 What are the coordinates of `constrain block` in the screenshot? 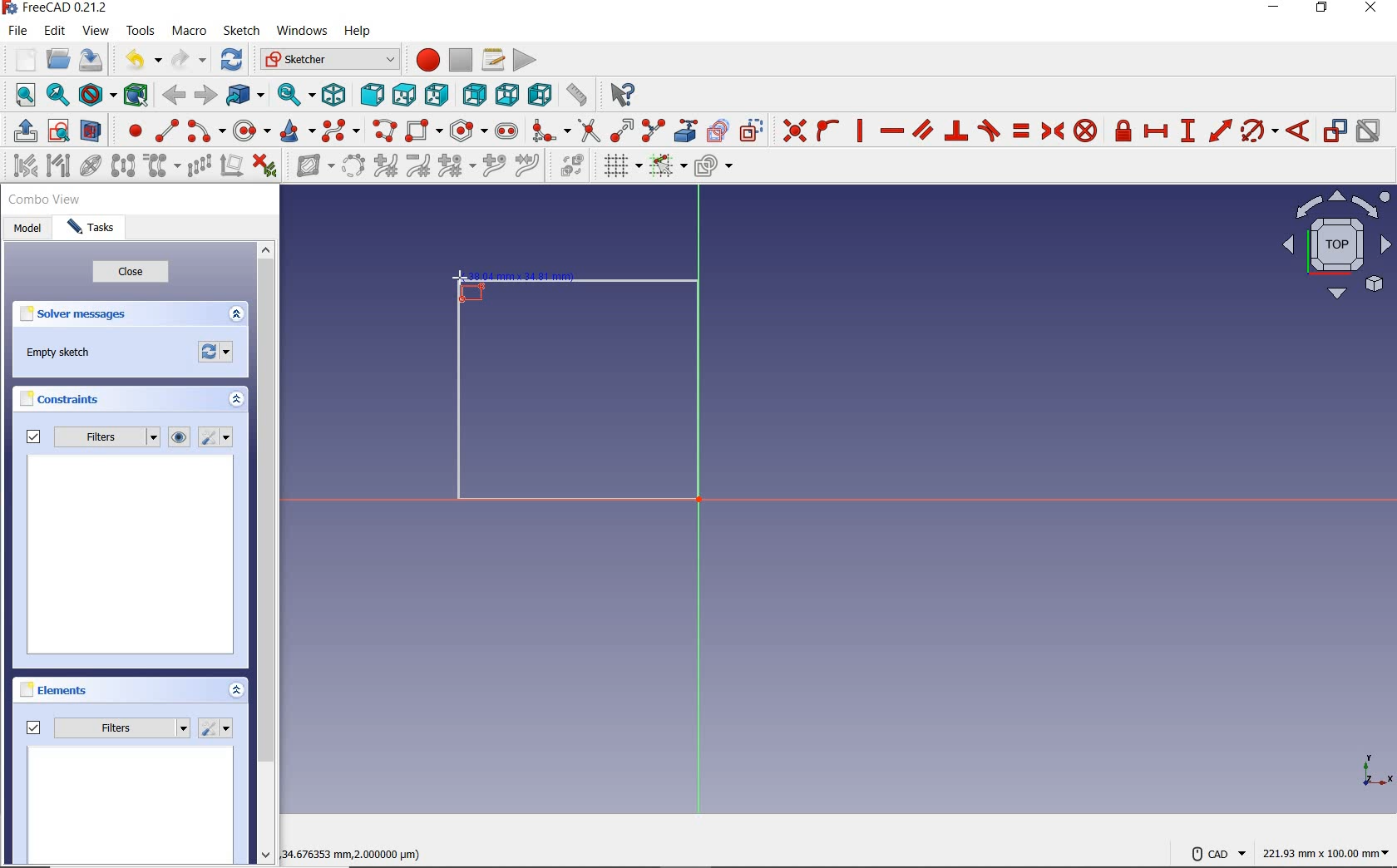 It's located at (1085, 131).